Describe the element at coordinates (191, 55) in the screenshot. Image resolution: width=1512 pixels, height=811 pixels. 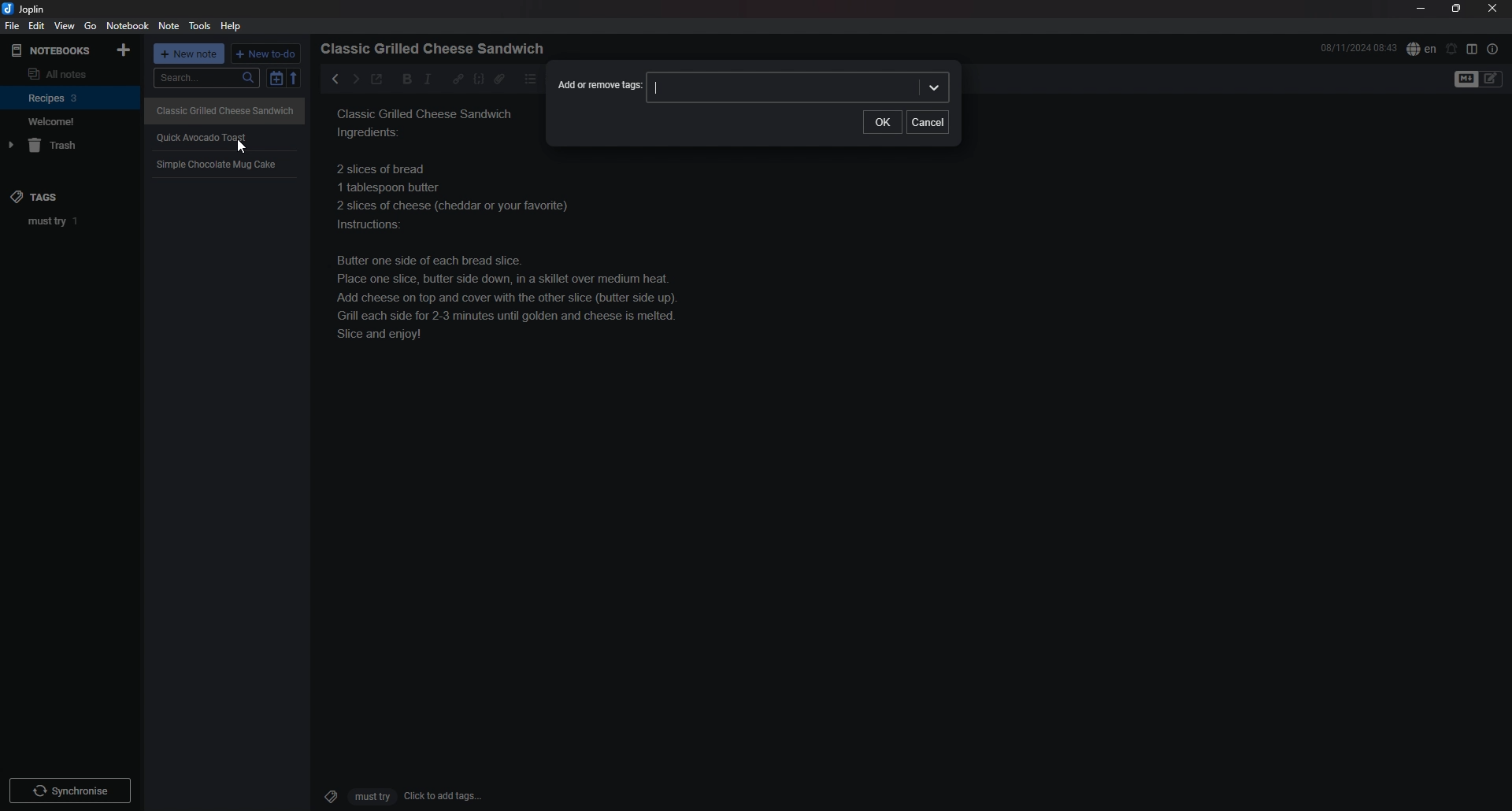
I see `new note` at that location.